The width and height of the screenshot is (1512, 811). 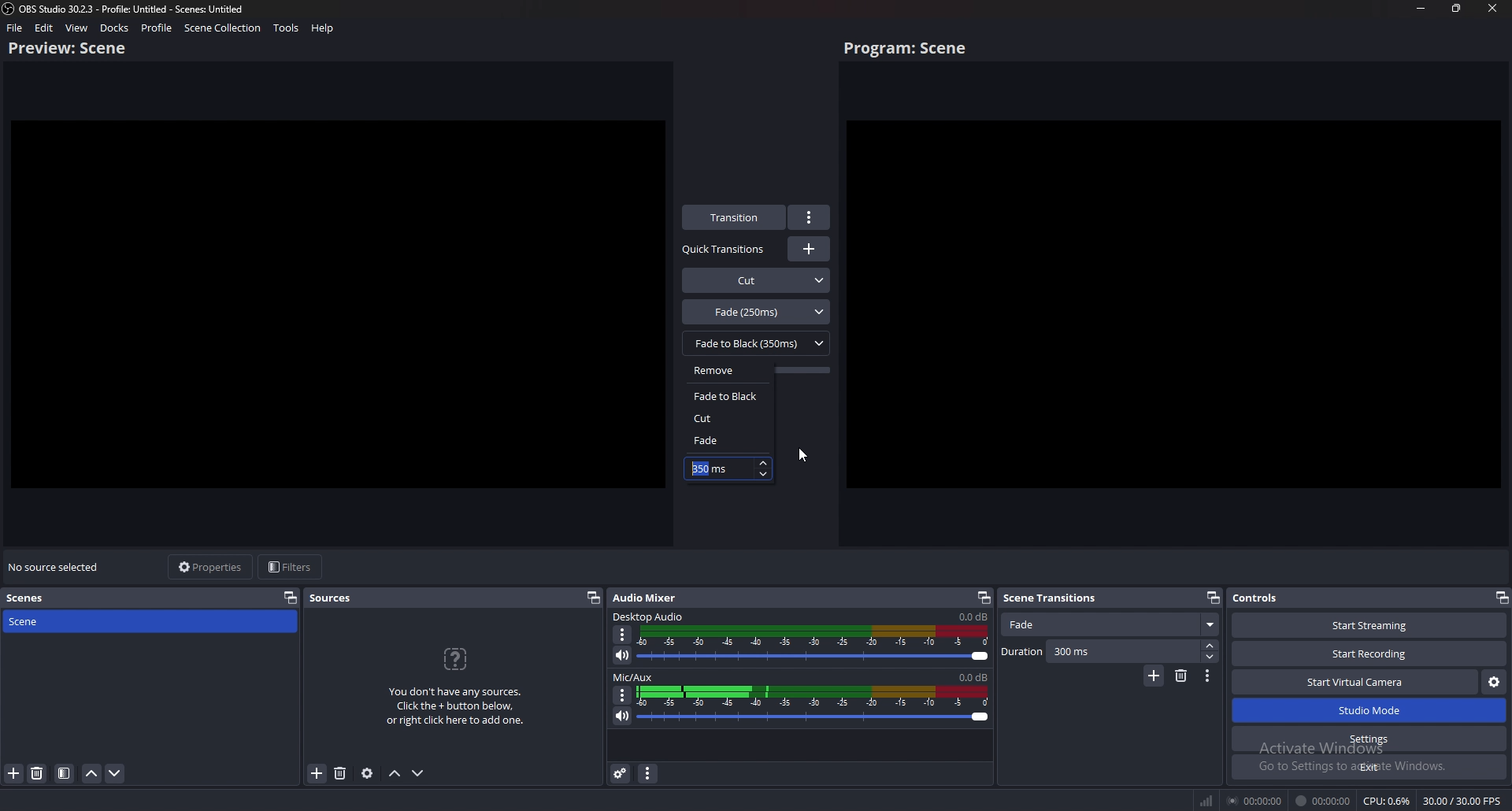 What do you see at coordinates (45, 28) in the screenshot?
I see `edit` at bounding box center [45, 28].